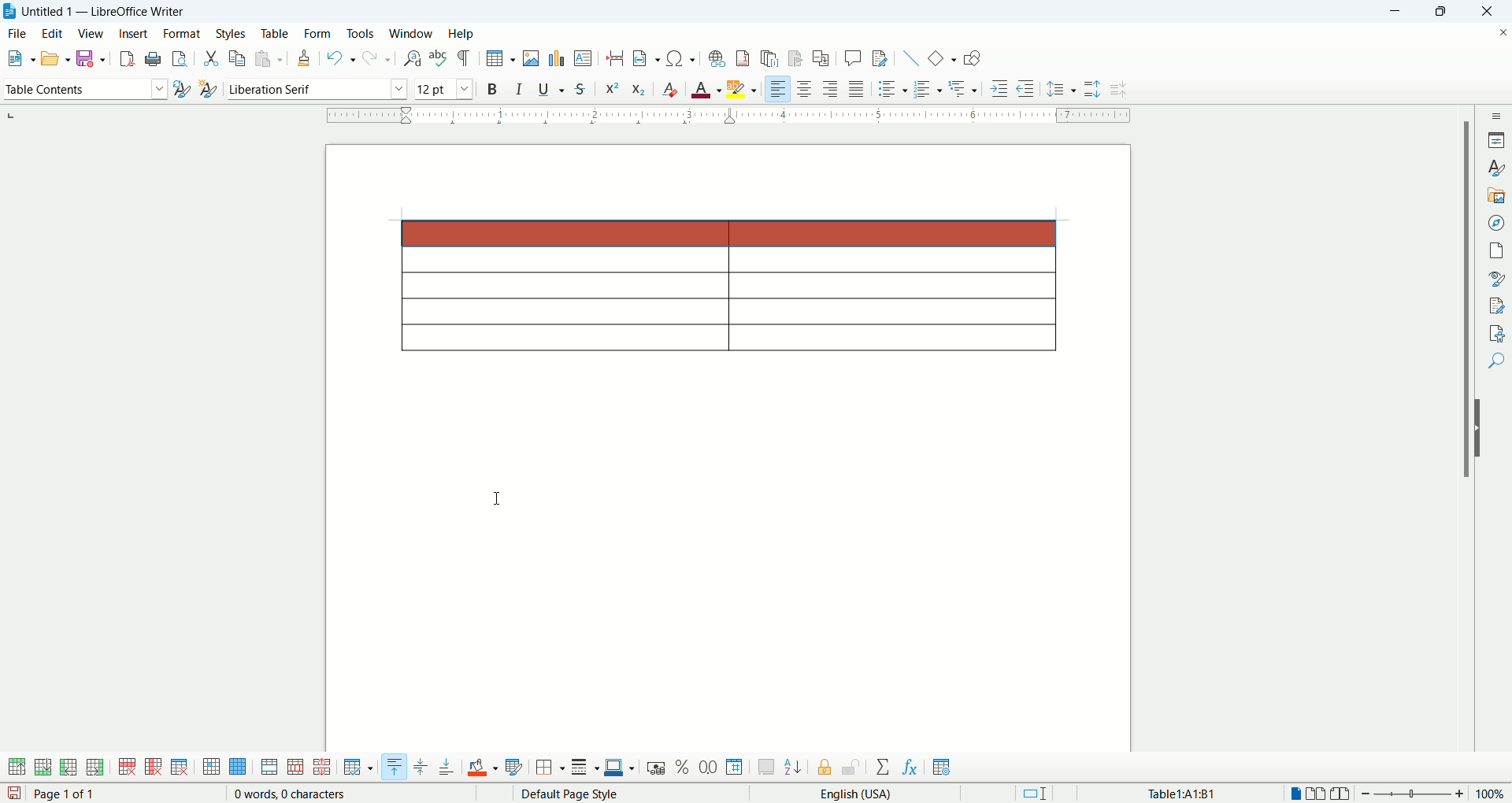  I want to click on form, so click(319, 35).